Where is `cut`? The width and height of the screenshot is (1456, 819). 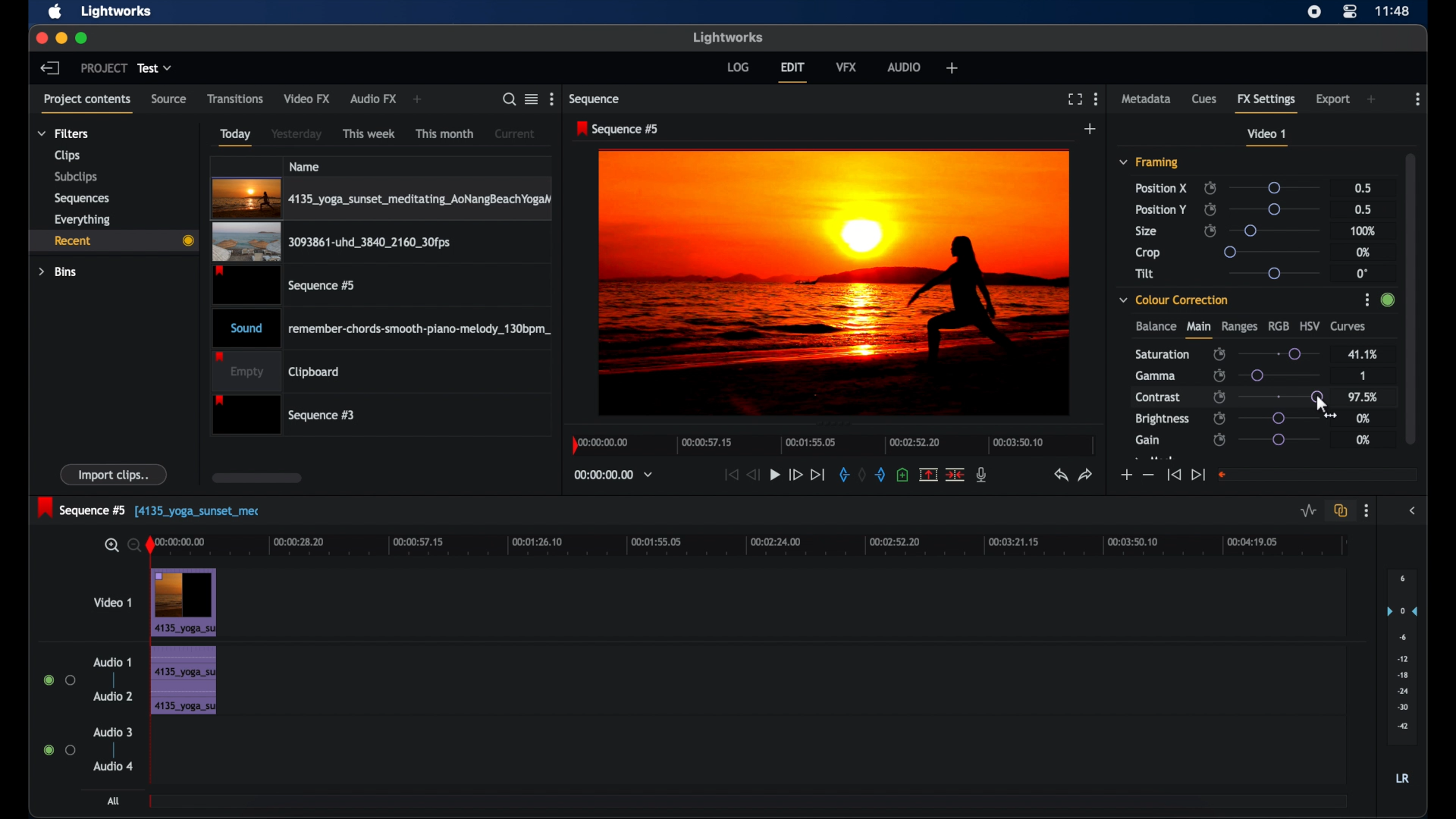
cut is located at coordinates (955, 474).